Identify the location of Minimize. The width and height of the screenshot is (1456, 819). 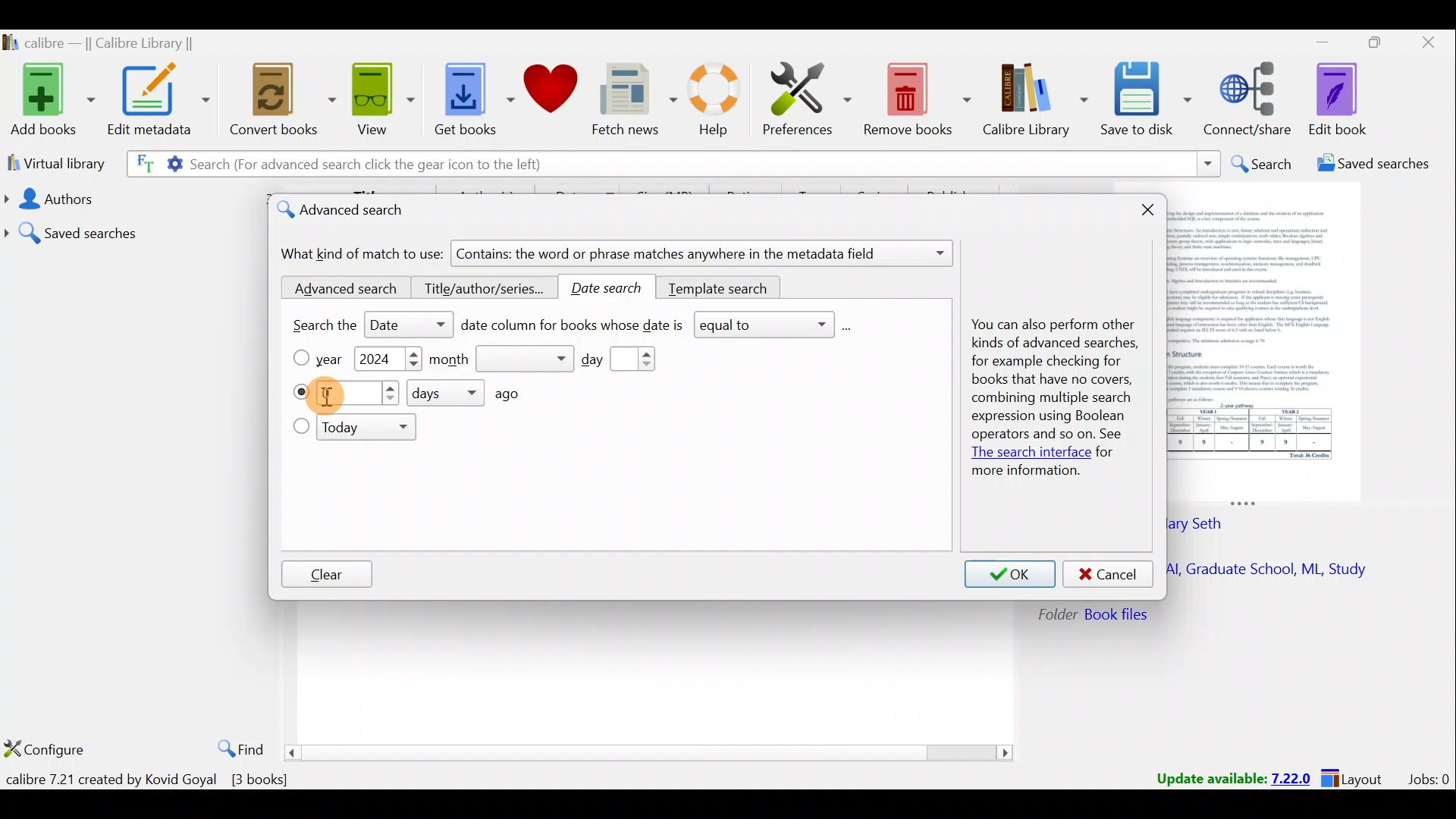
(1314, 42).